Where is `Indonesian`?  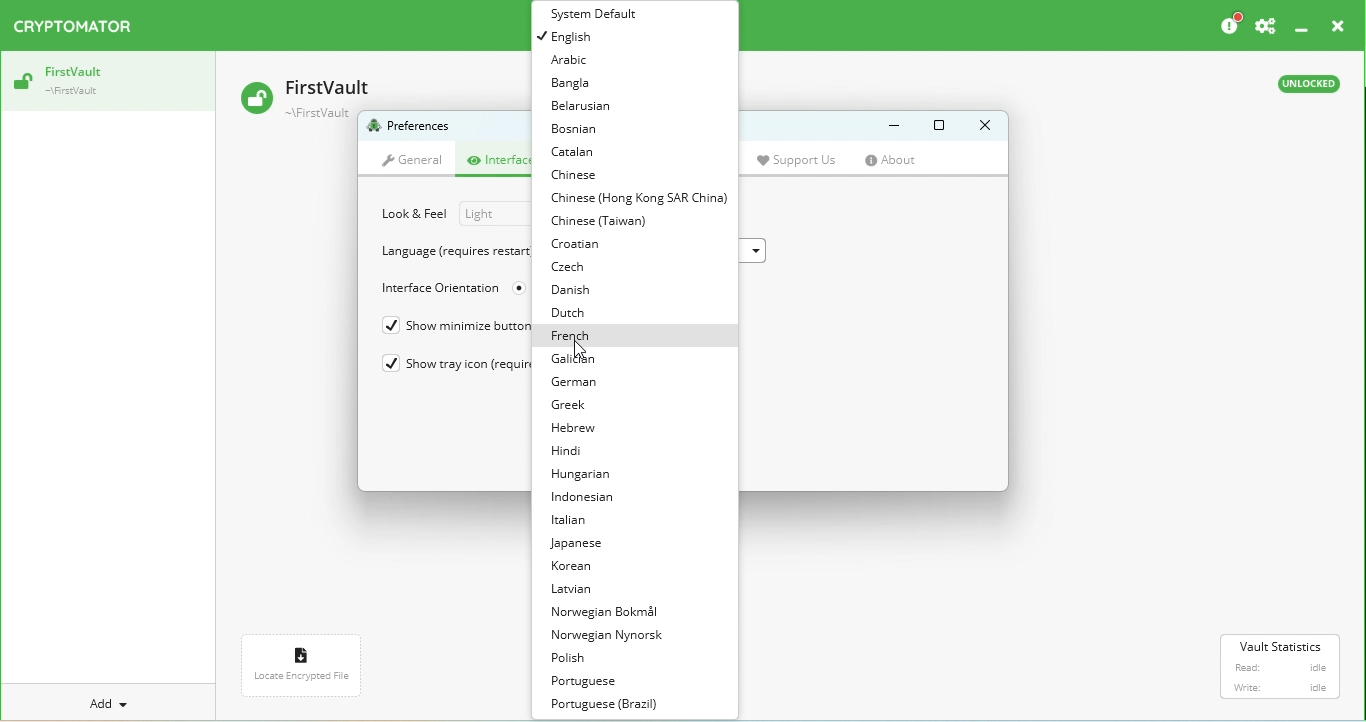
Indonesian is located at coordinates (591, 499).